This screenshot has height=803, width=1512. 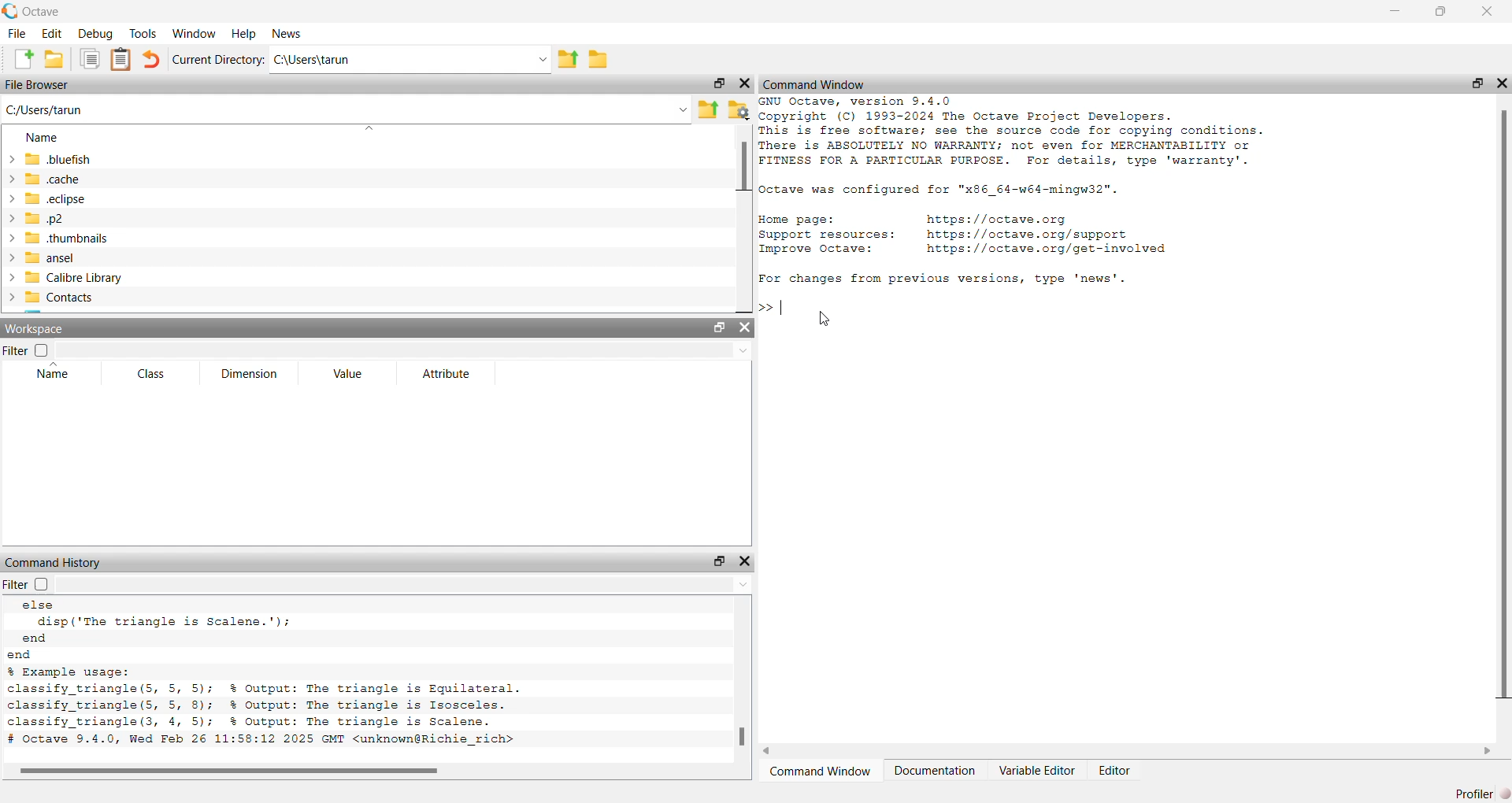 What do you see at coordinates (1487, 750) in the screenshot?
I see `move right` at bounding box center [1487, 750].